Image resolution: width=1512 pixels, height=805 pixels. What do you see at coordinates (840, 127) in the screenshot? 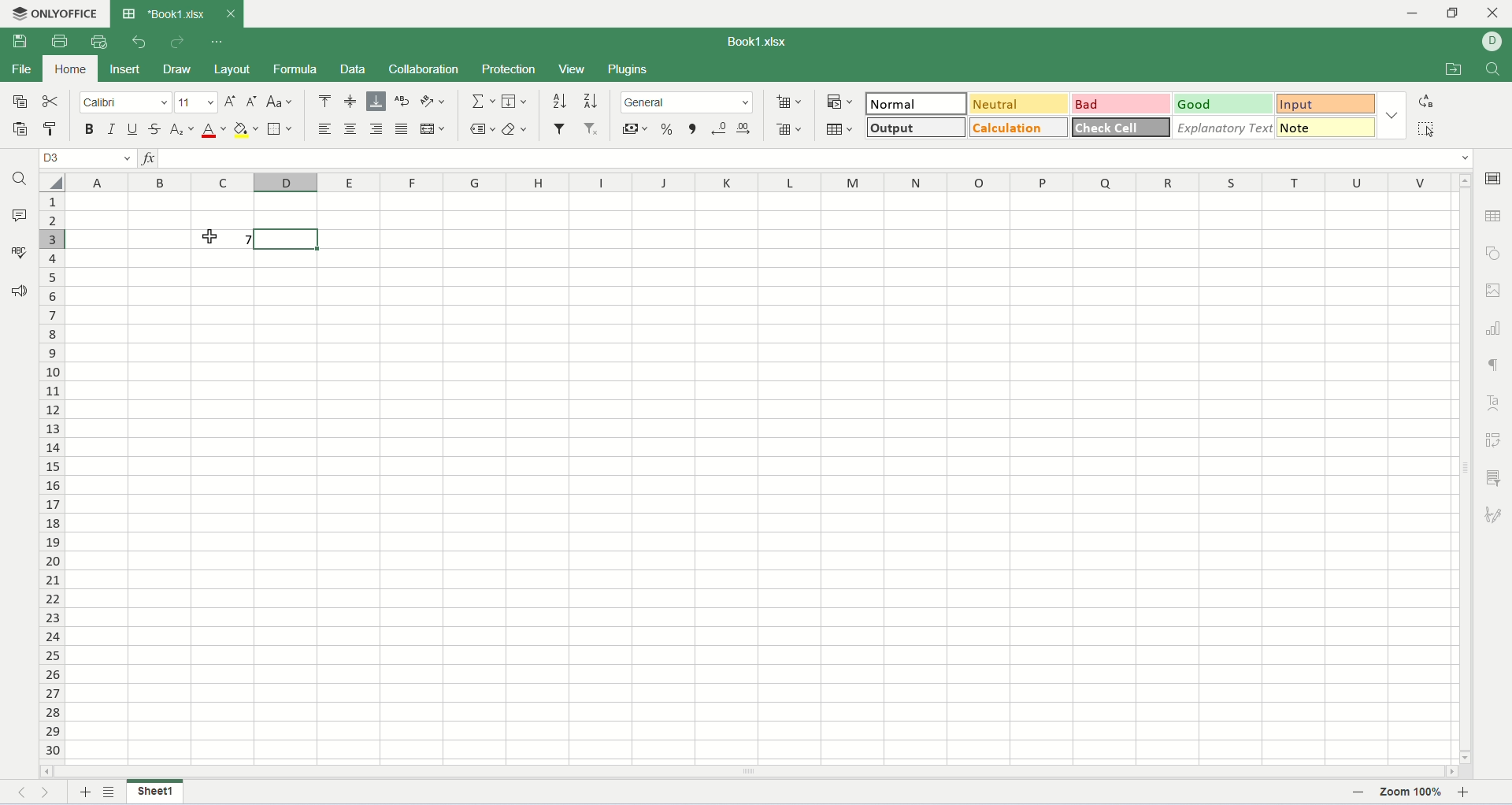
I see `table` at bounding box center [840, 127].